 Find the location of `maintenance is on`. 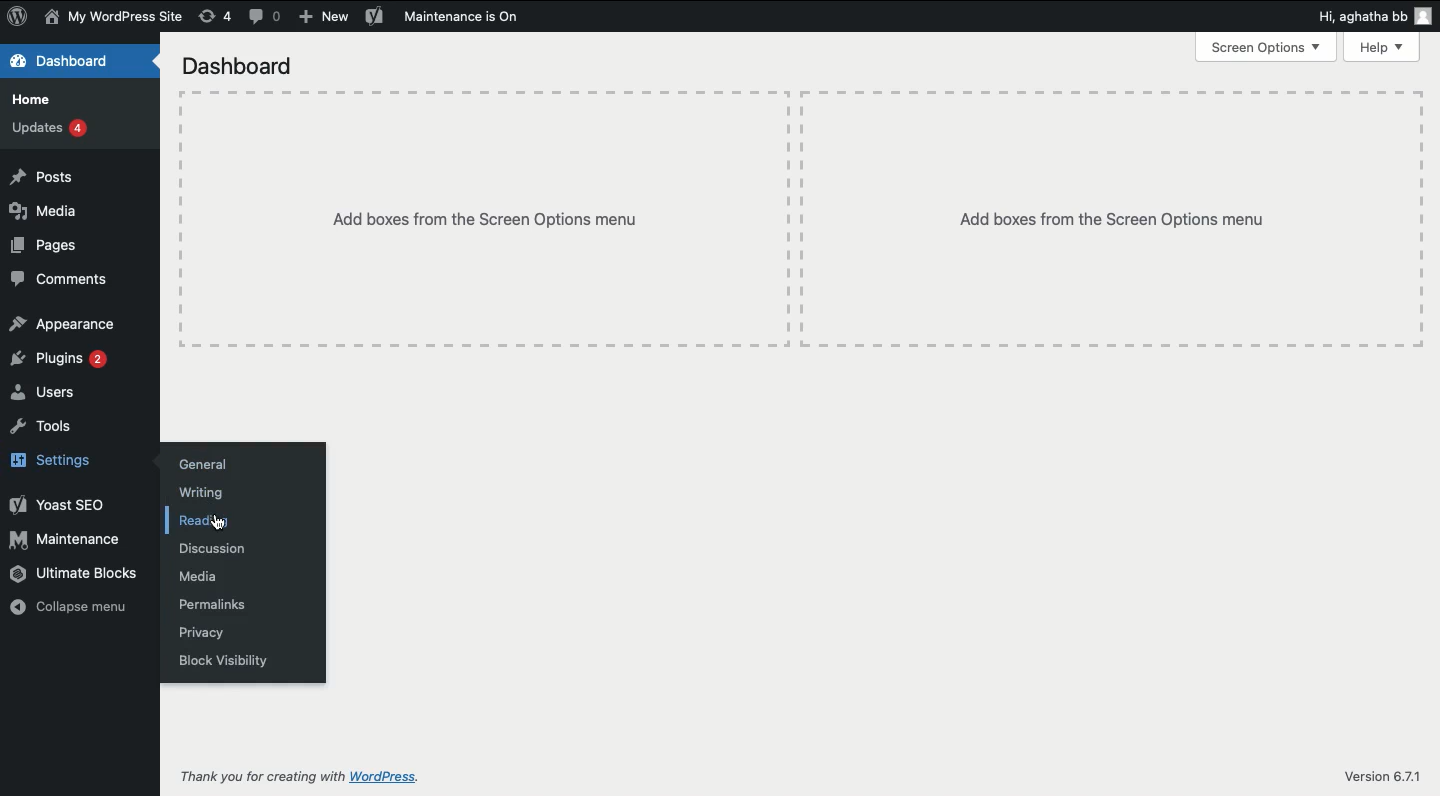

maintenance is on is located at coordinates (463, 17).